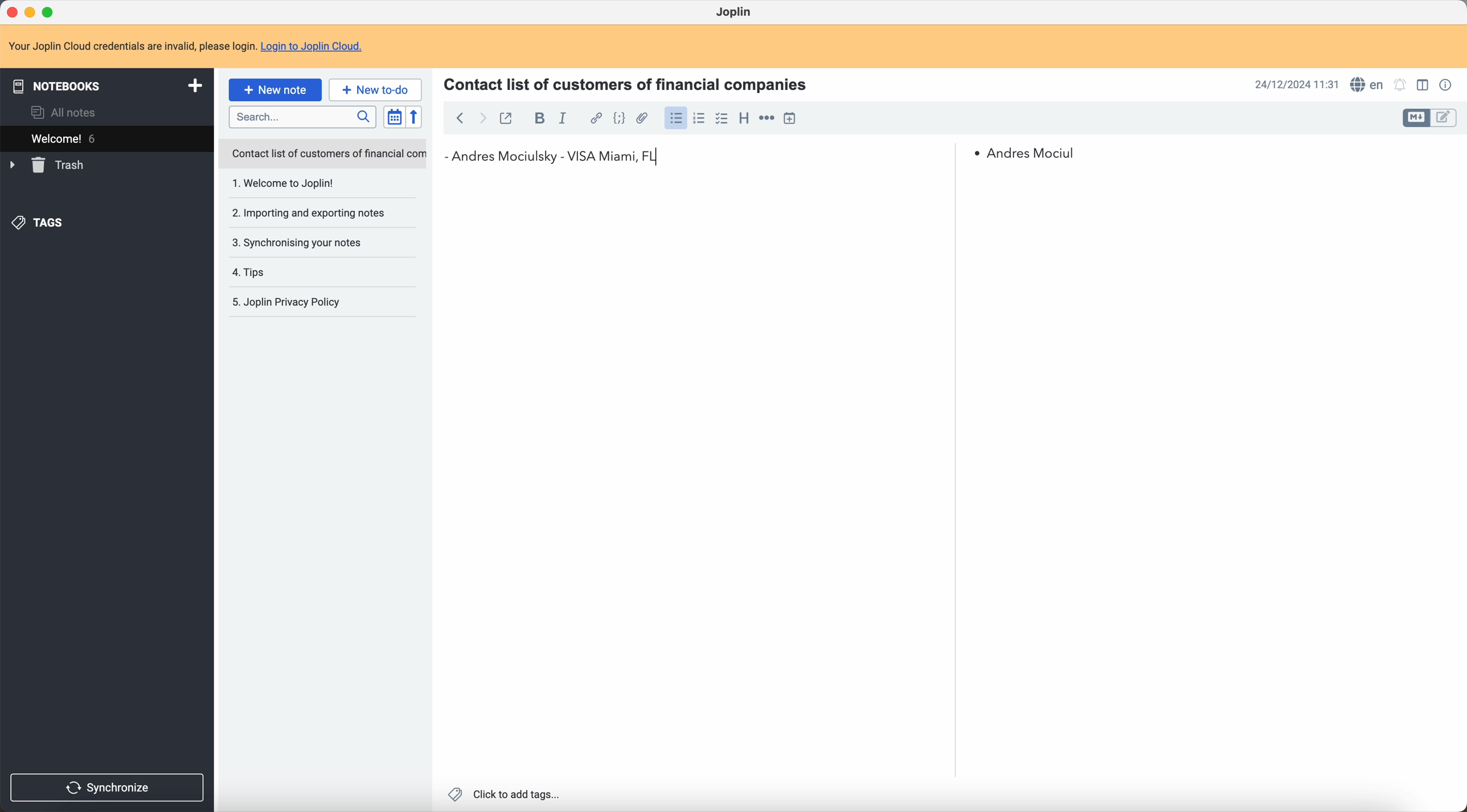 This screenshot has width=1467, height=812. I want to click on 4. Tips, so click(284, 272).